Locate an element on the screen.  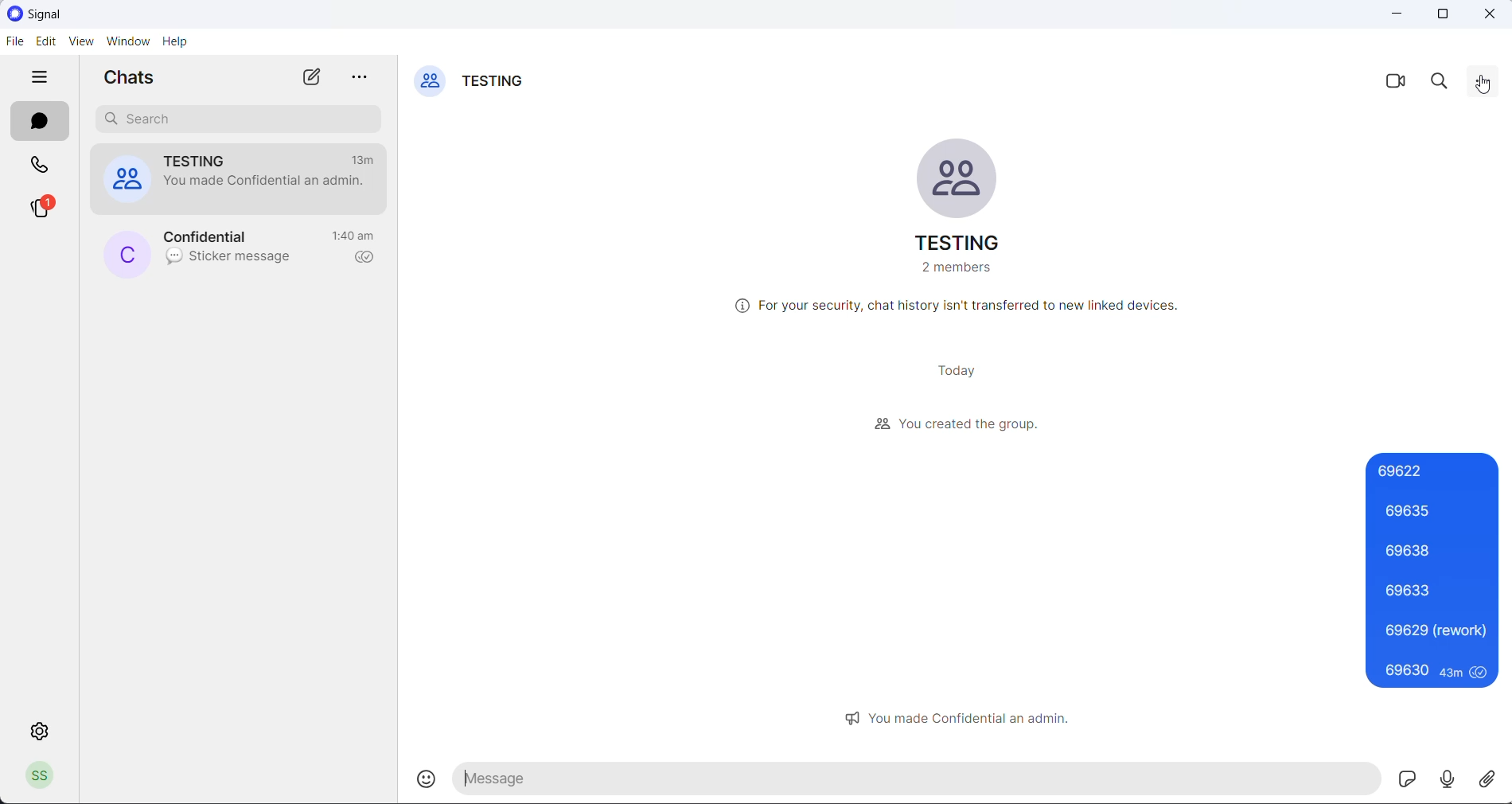
last active time is located at coordinates (356, 234).